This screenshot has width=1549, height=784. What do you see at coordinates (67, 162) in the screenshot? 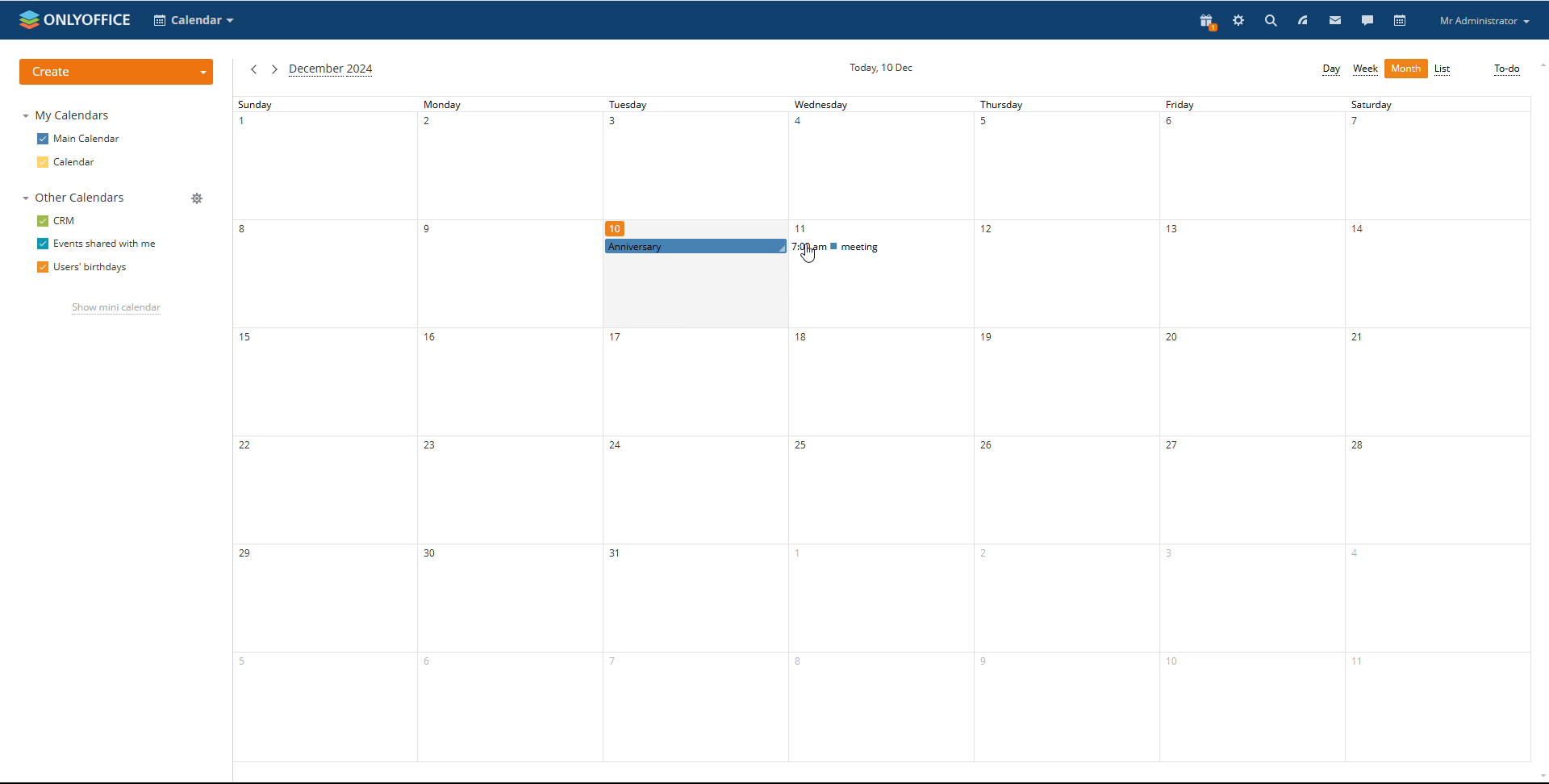
I see `calendar` at bounding box center [67, 162].